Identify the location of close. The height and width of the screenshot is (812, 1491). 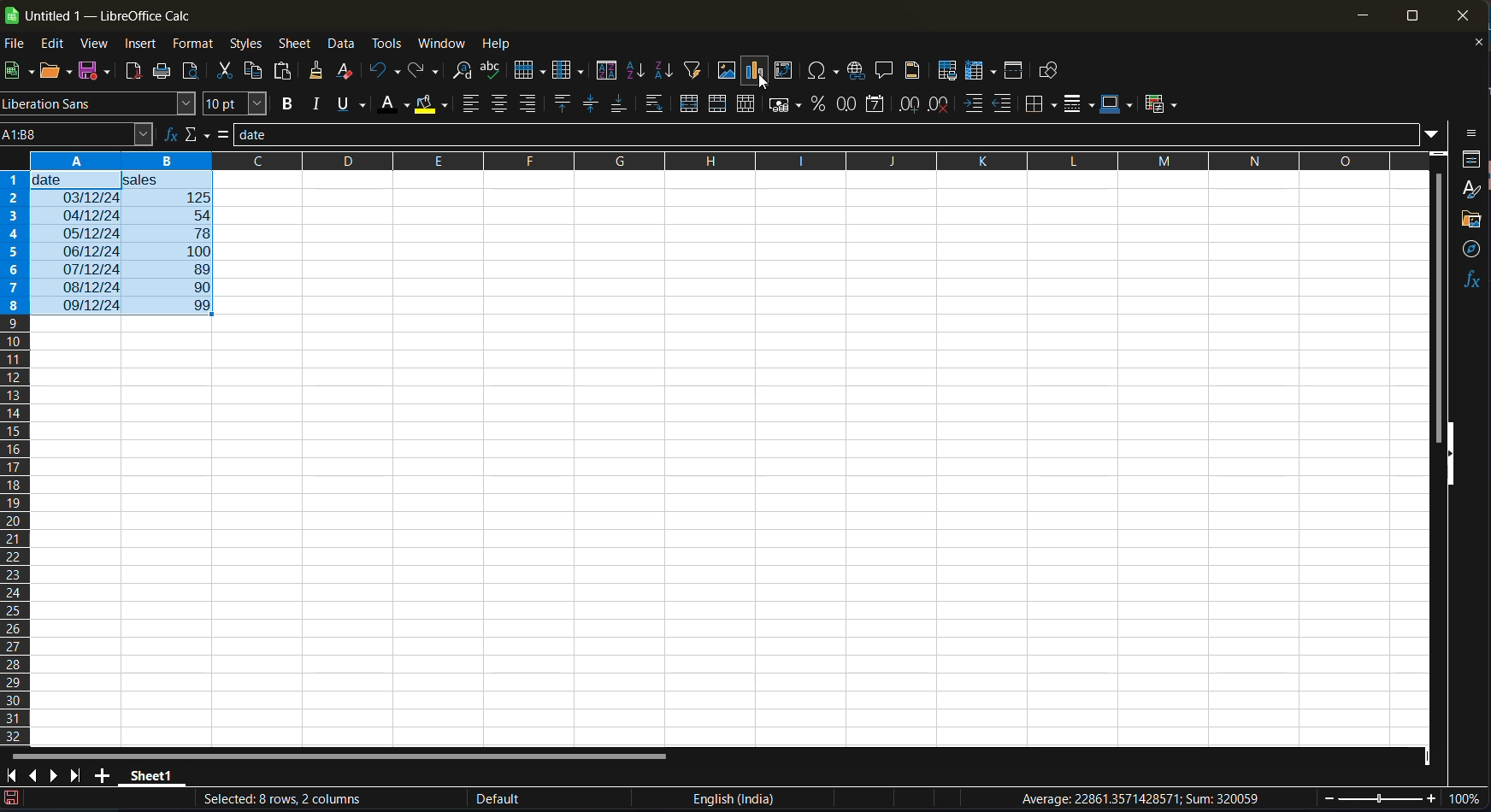
(1463, 15).